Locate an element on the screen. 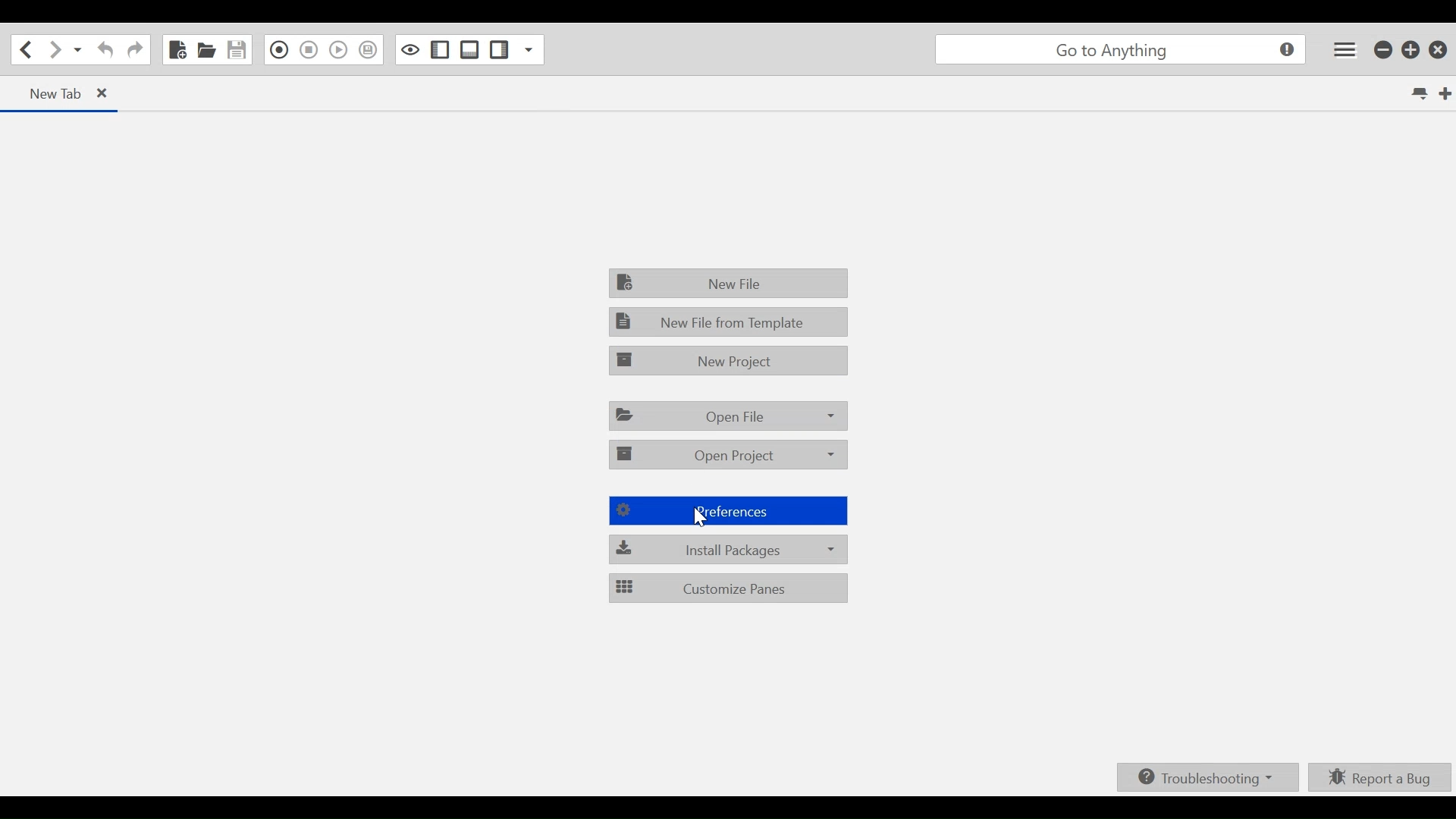 The width and height of the screenshot is (1456, 819). Toggle focus mode is located at coordinates (410, 49).